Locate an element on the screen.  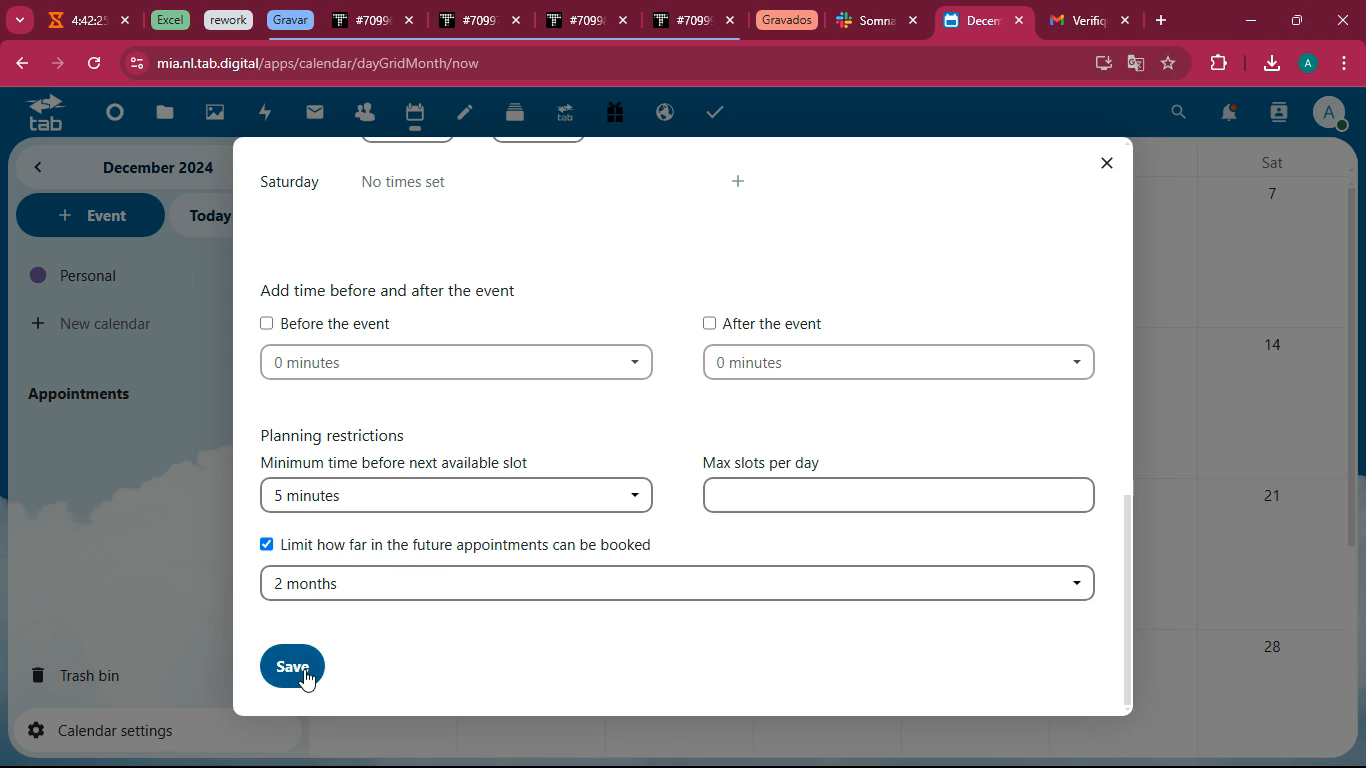
today is located at coordinates (207, 216).